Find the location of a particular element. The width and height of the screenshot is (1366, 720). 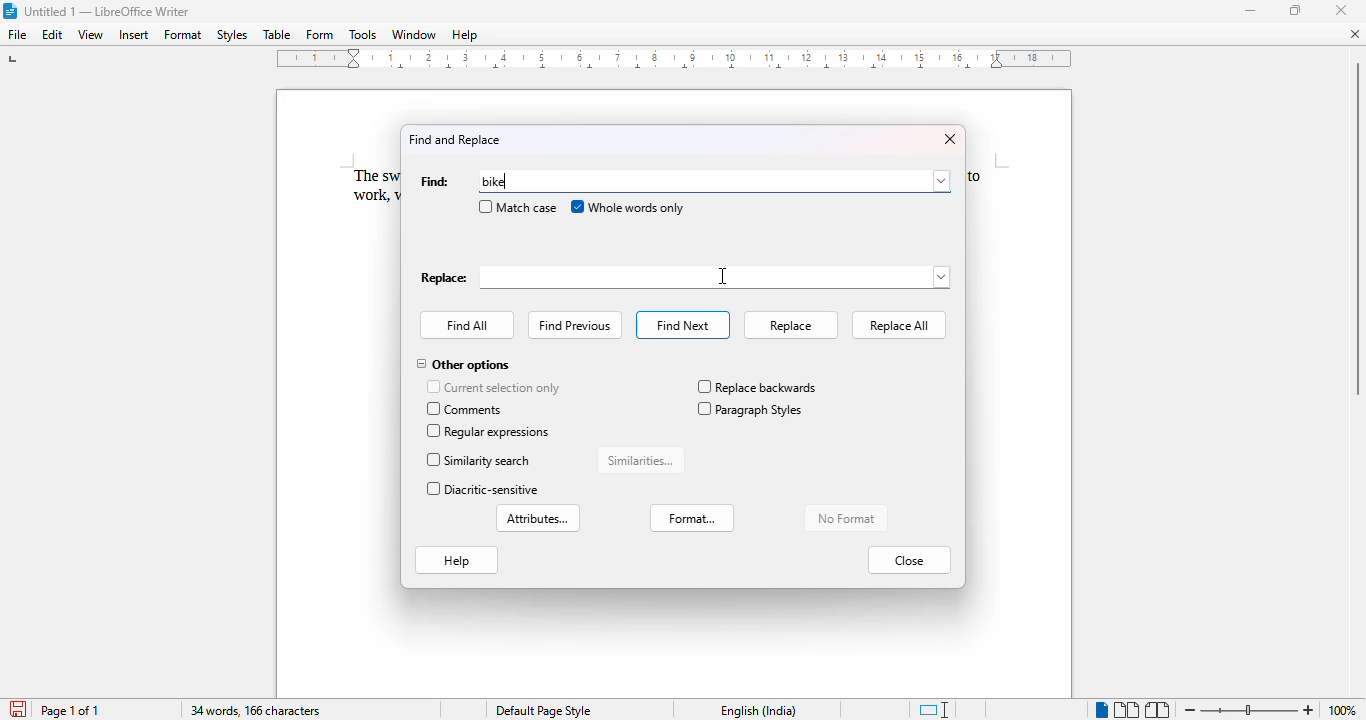

cursor is located at coordinates (722, 277).